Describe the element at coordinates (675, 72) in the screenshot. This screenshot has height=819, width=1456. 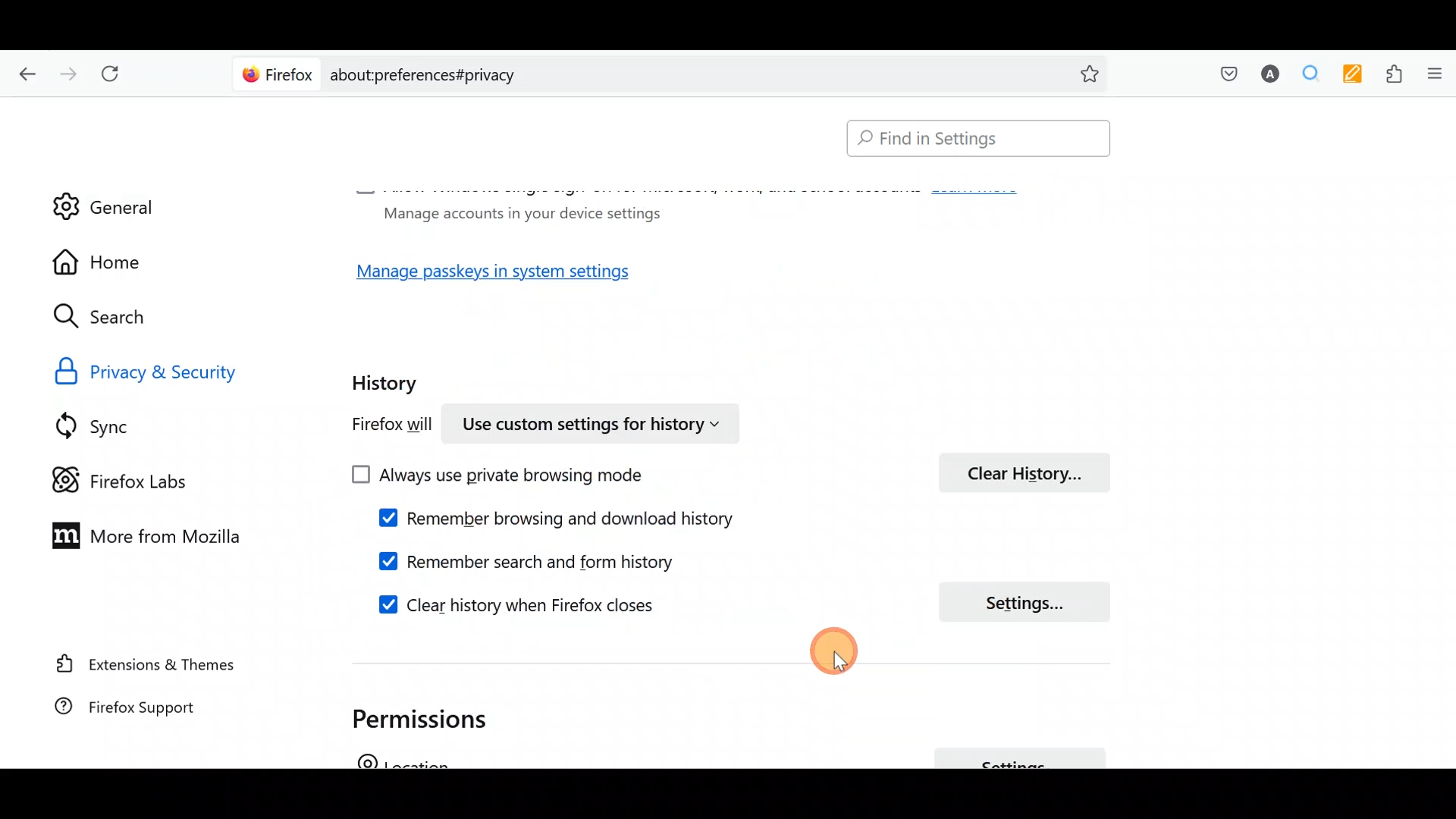
I see `Search bar` at that location.